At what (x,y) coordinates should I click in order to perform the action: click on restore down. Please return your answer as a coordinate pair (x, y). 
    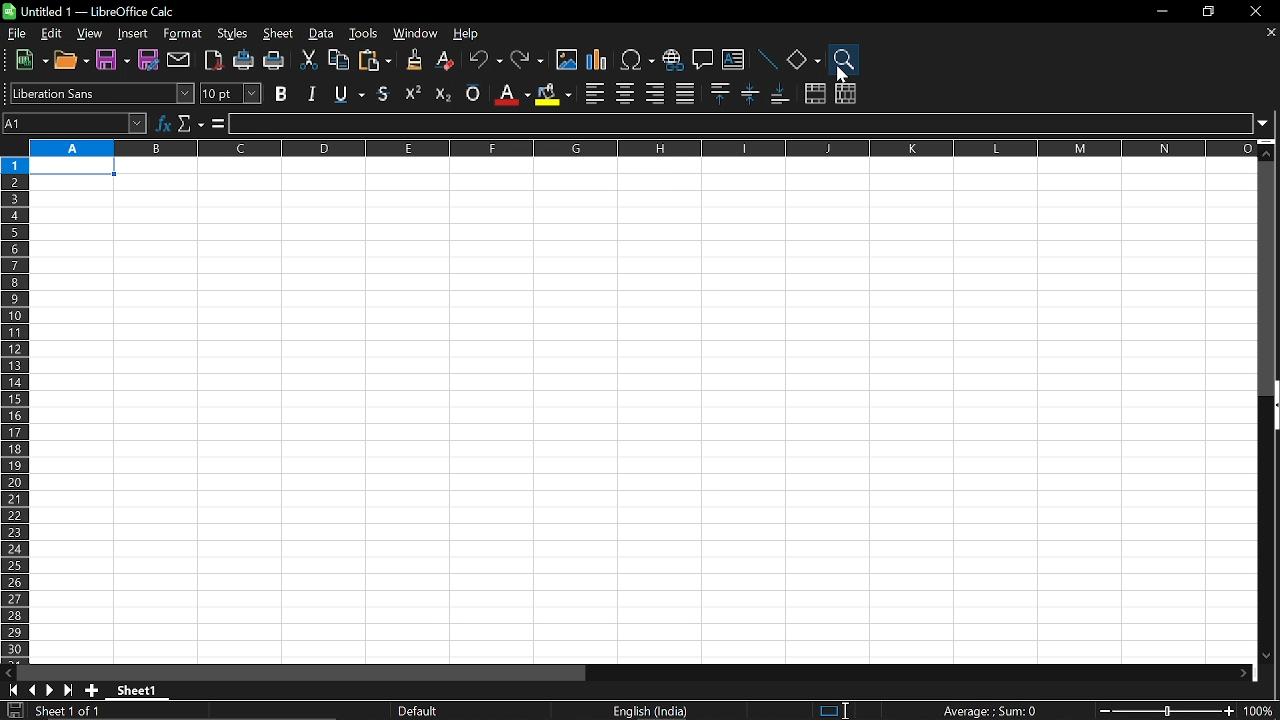
    Looking at the image, I should click on (1206, 13).